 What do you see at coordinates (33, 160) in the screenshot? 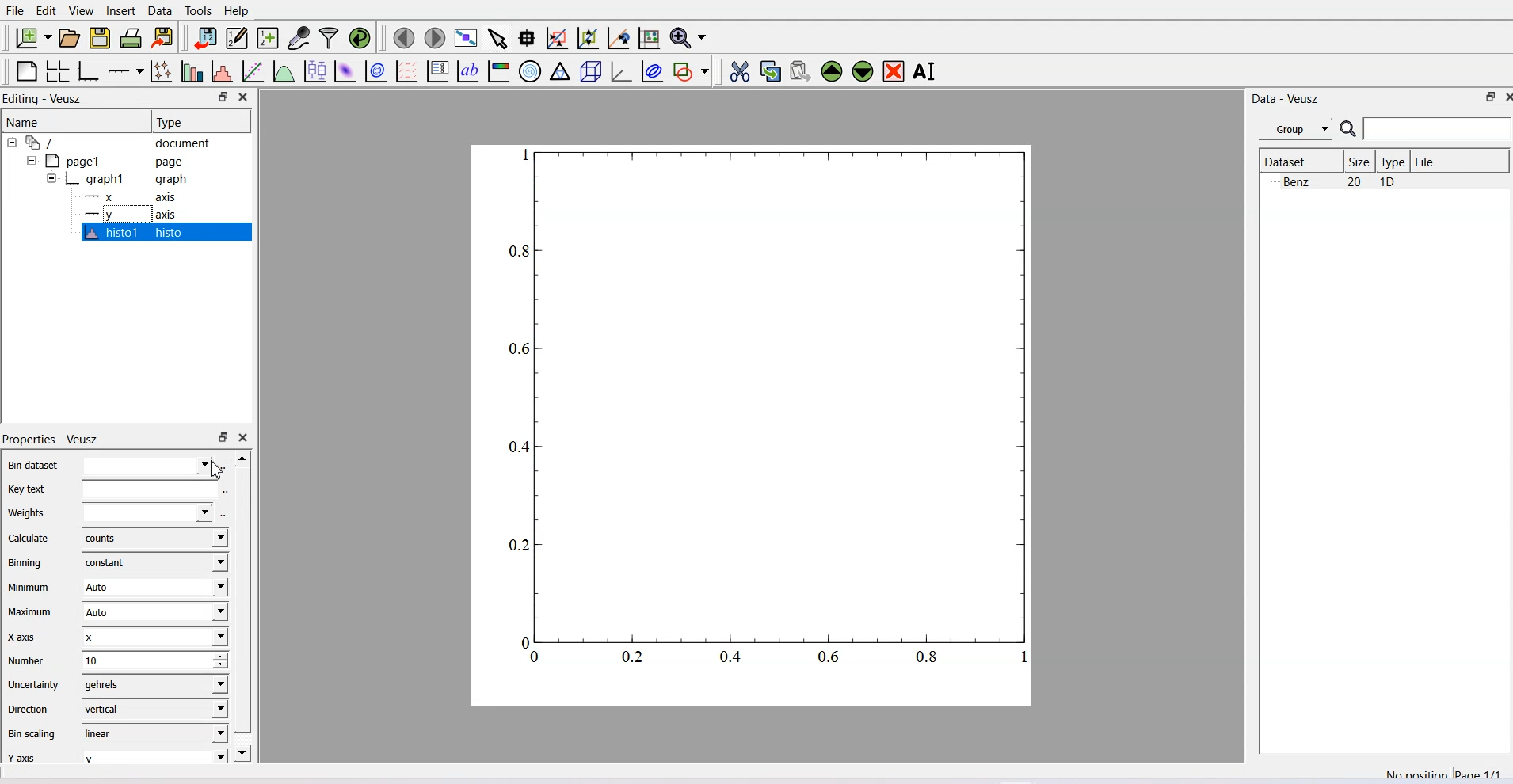
I see `Collapse` at bounding box center [33, 160].